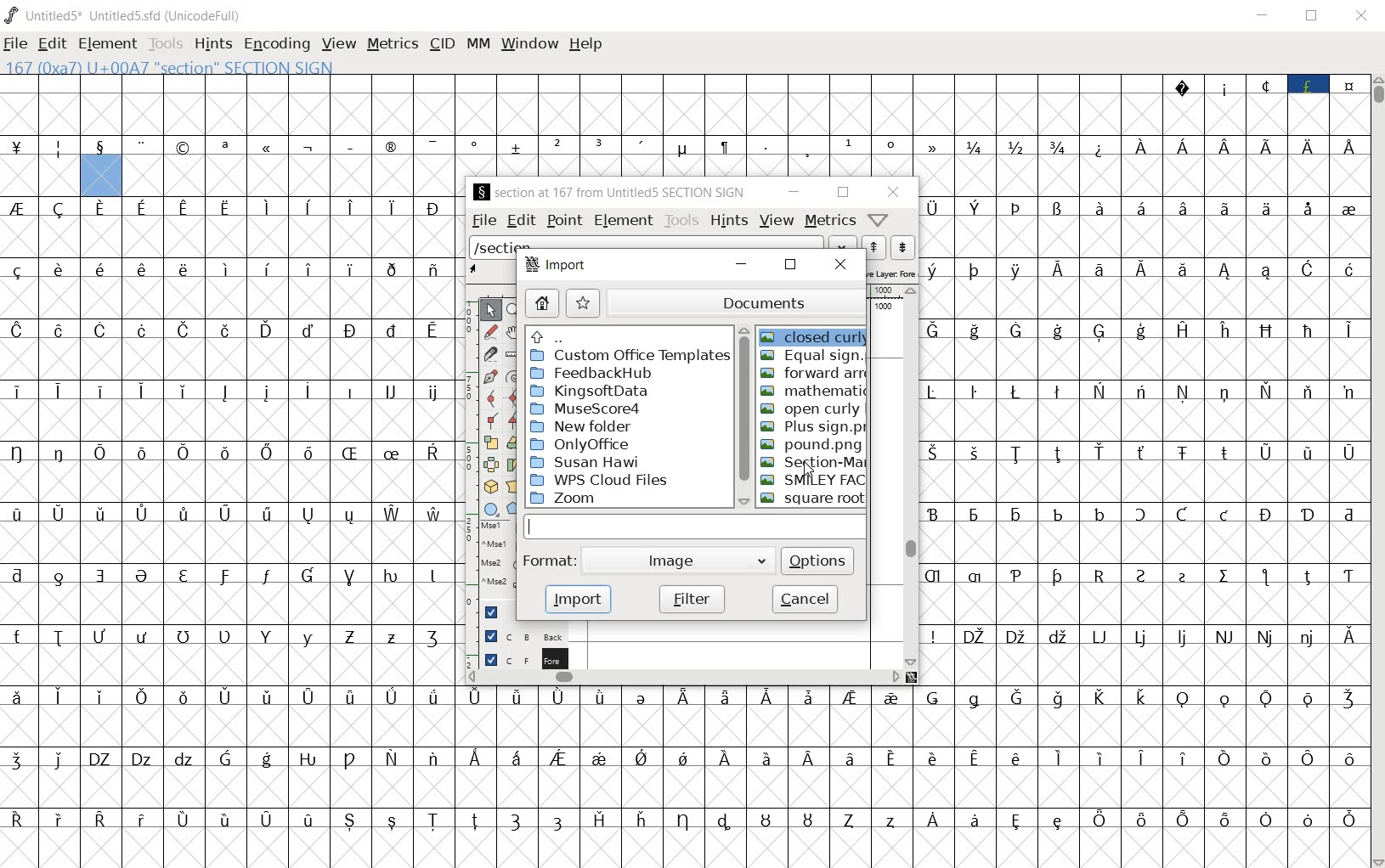 This screenshot has height=868, width=1385. I want to click on flip the selection, so click(490, 464).